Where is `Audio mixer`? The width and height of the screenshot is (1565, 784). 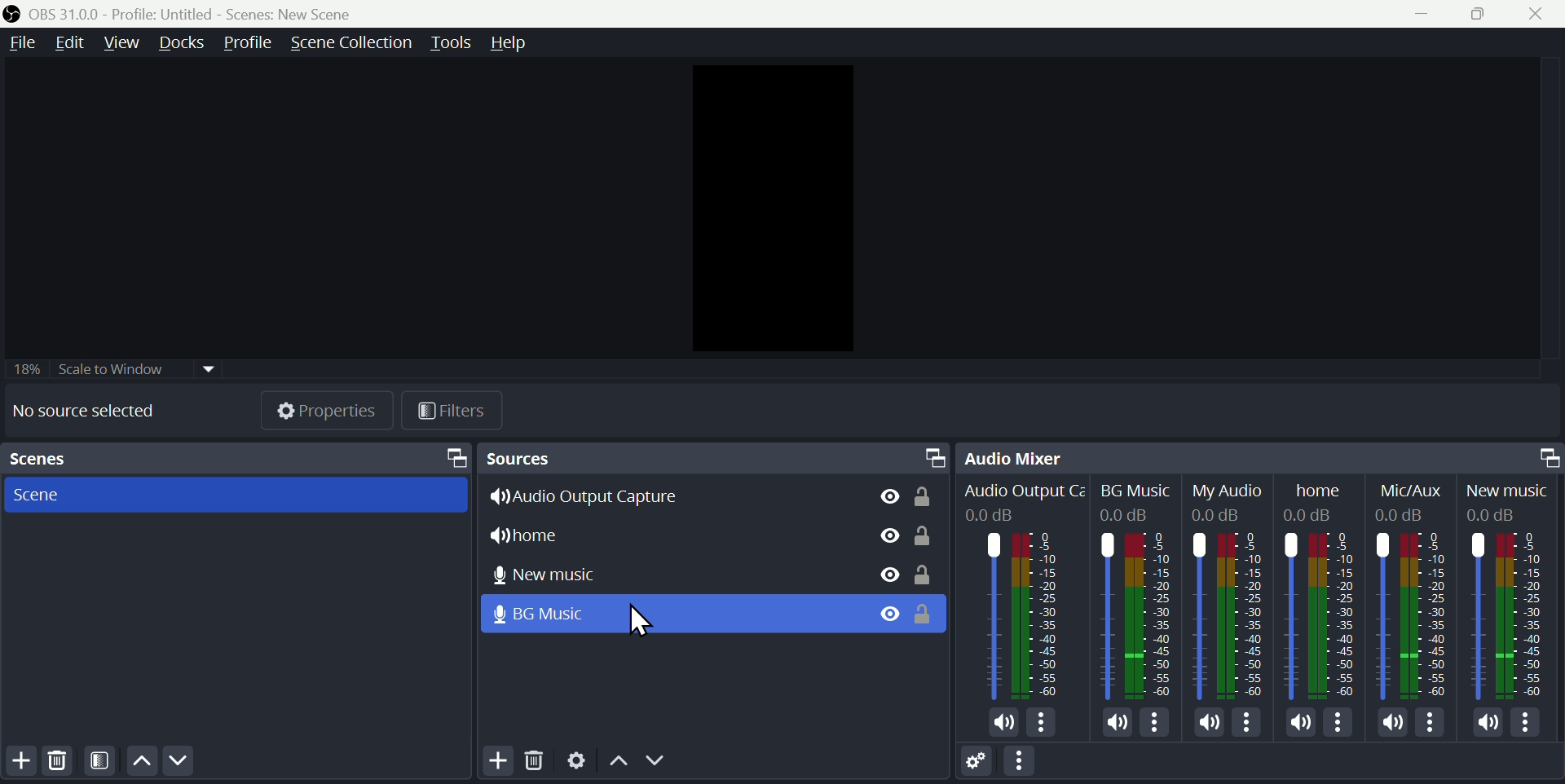
Audio mixer is located at coordinates (1023, 455).